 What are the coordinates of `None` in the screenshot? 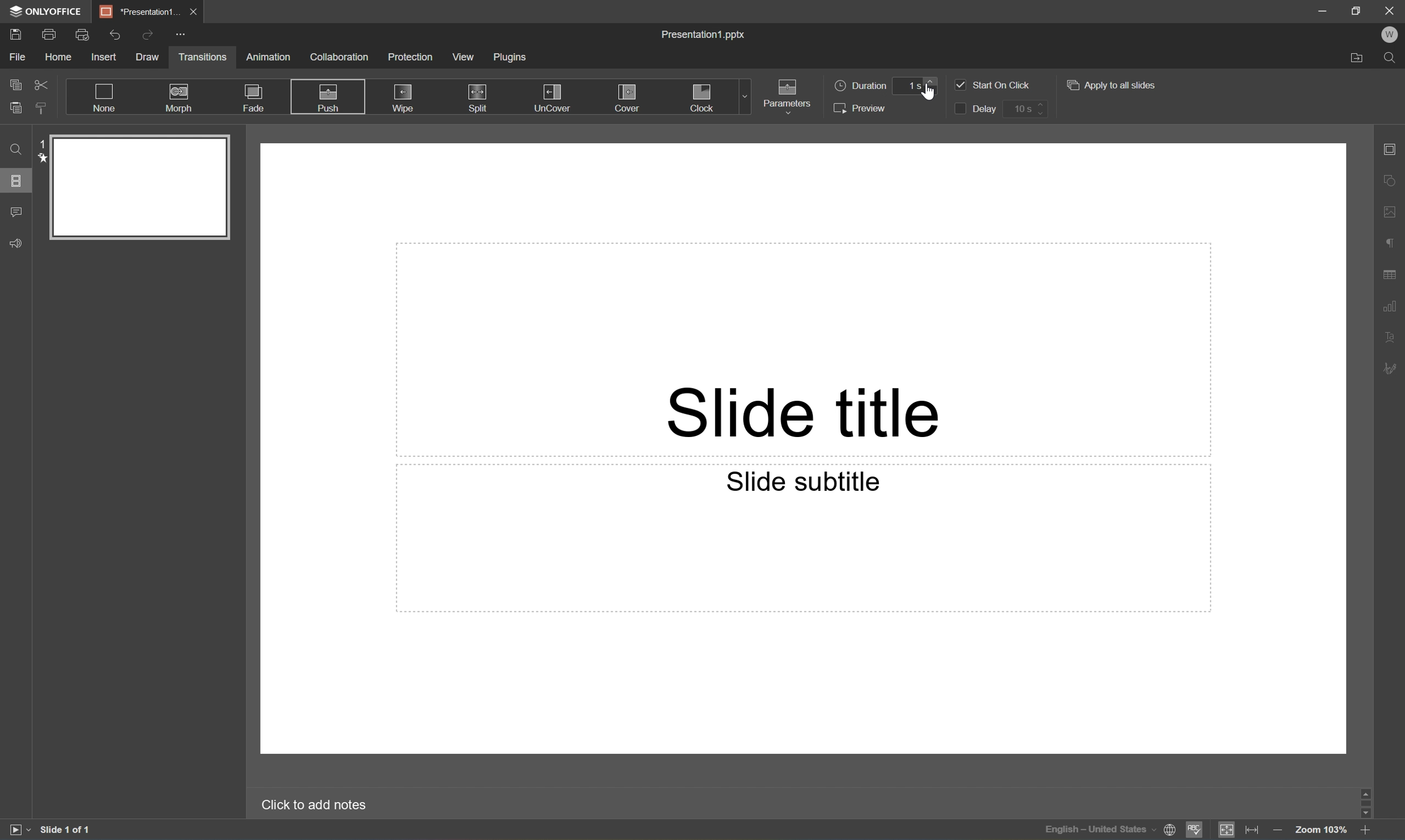 It's located at (103, 97).